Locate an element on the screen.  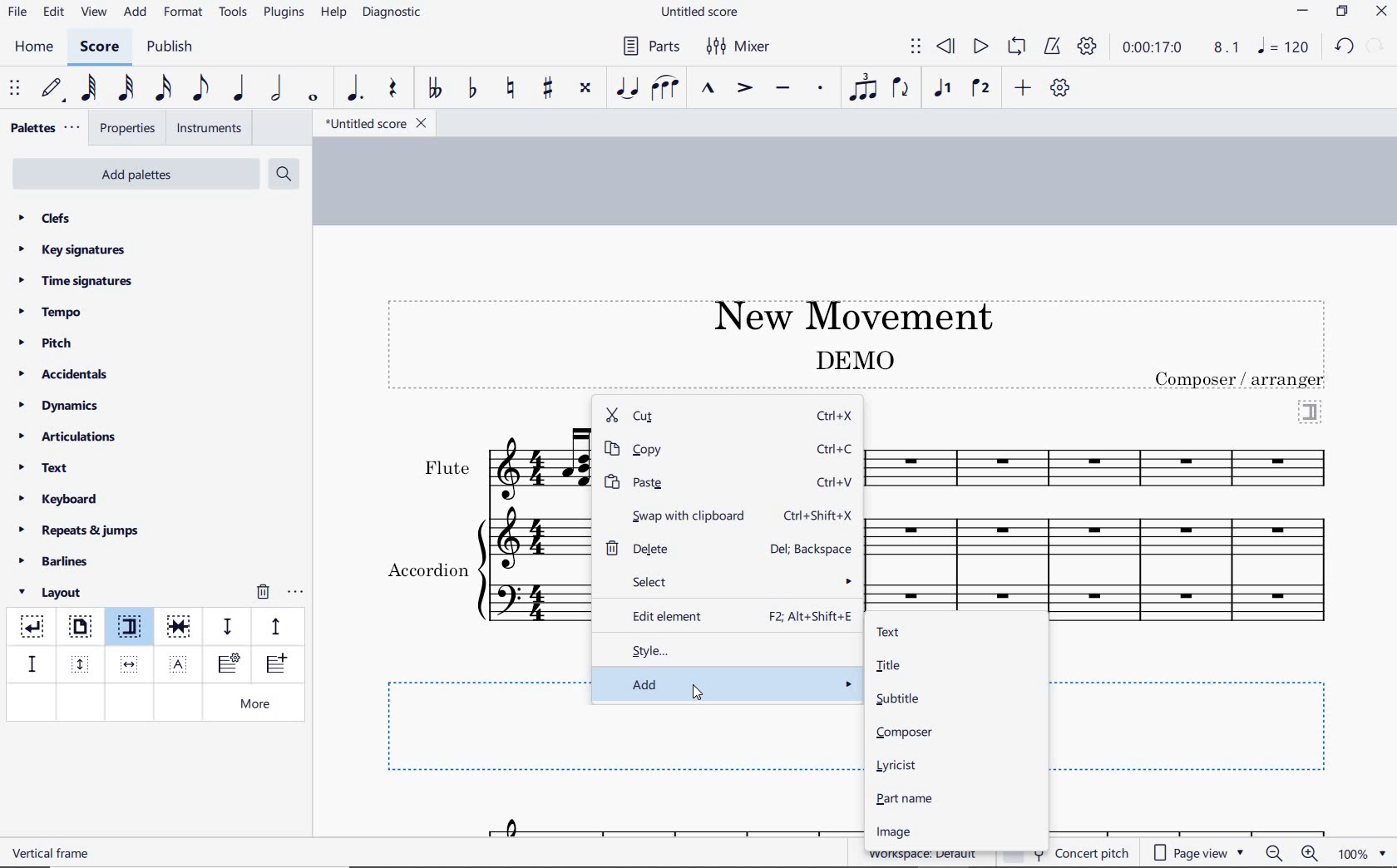
Playback speed is located at coordinates (1228, 48).